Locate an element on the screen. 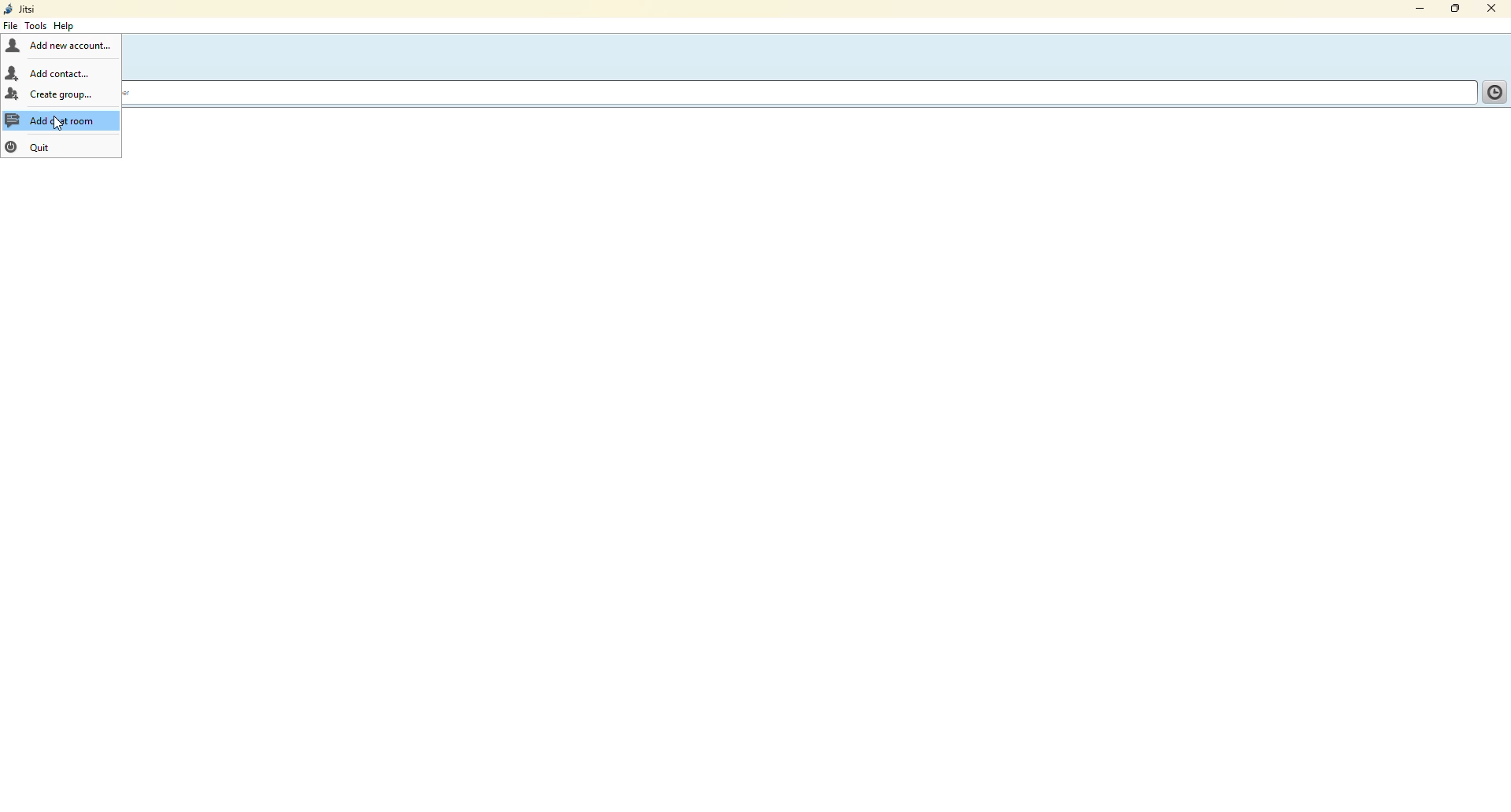 This screenshot has width=1511, height=812. add contact icon is located at coordinates (13, 70).